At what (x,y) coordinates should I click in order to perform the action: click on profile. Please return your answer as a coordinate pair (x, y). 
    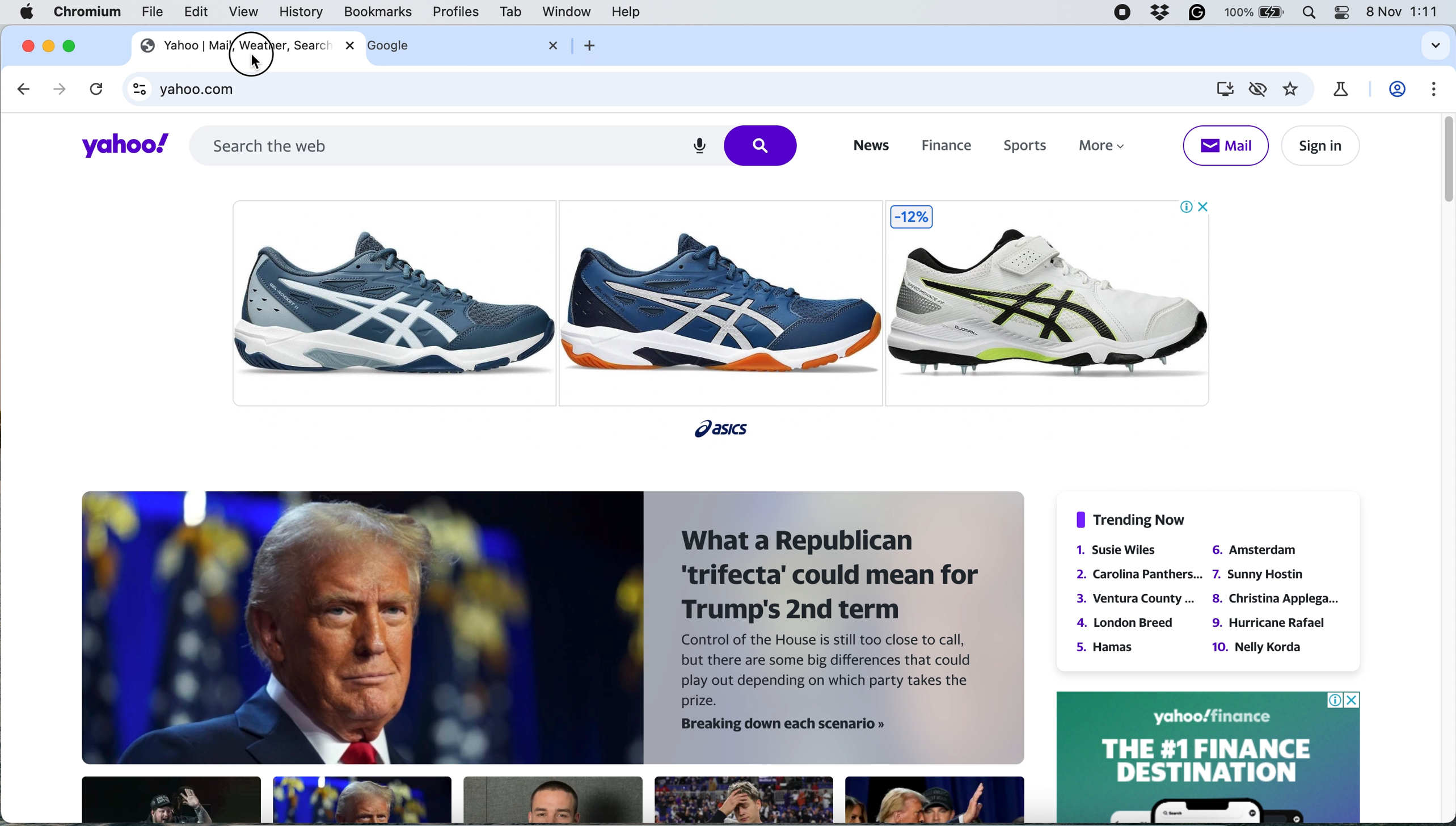
    Looking at the image, I should click on (1399, 90).